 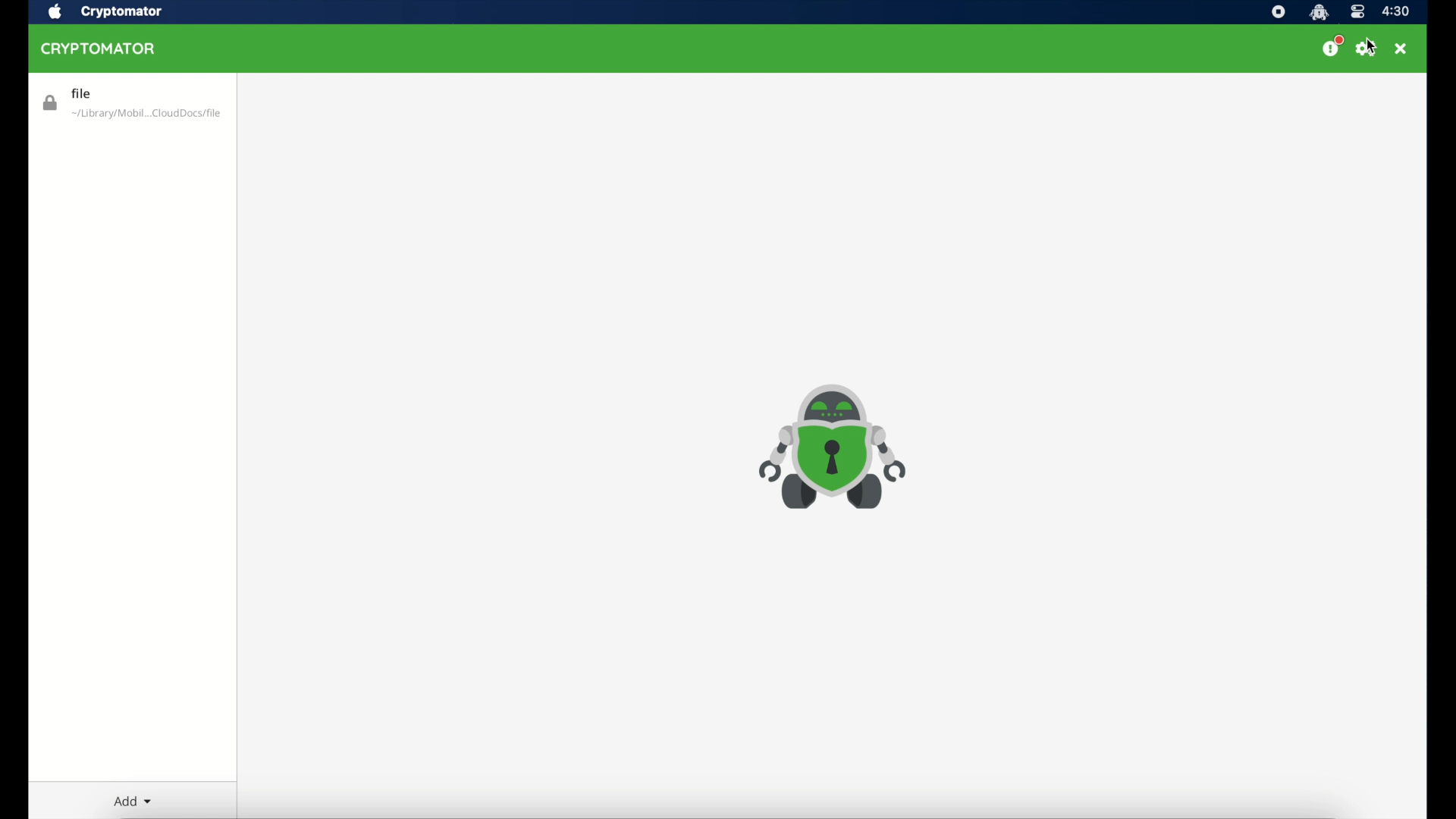 What do you see at coordinates (834, 449) in the screenshot?
I see `cryptomator icon` at bounding box center [834, 449].